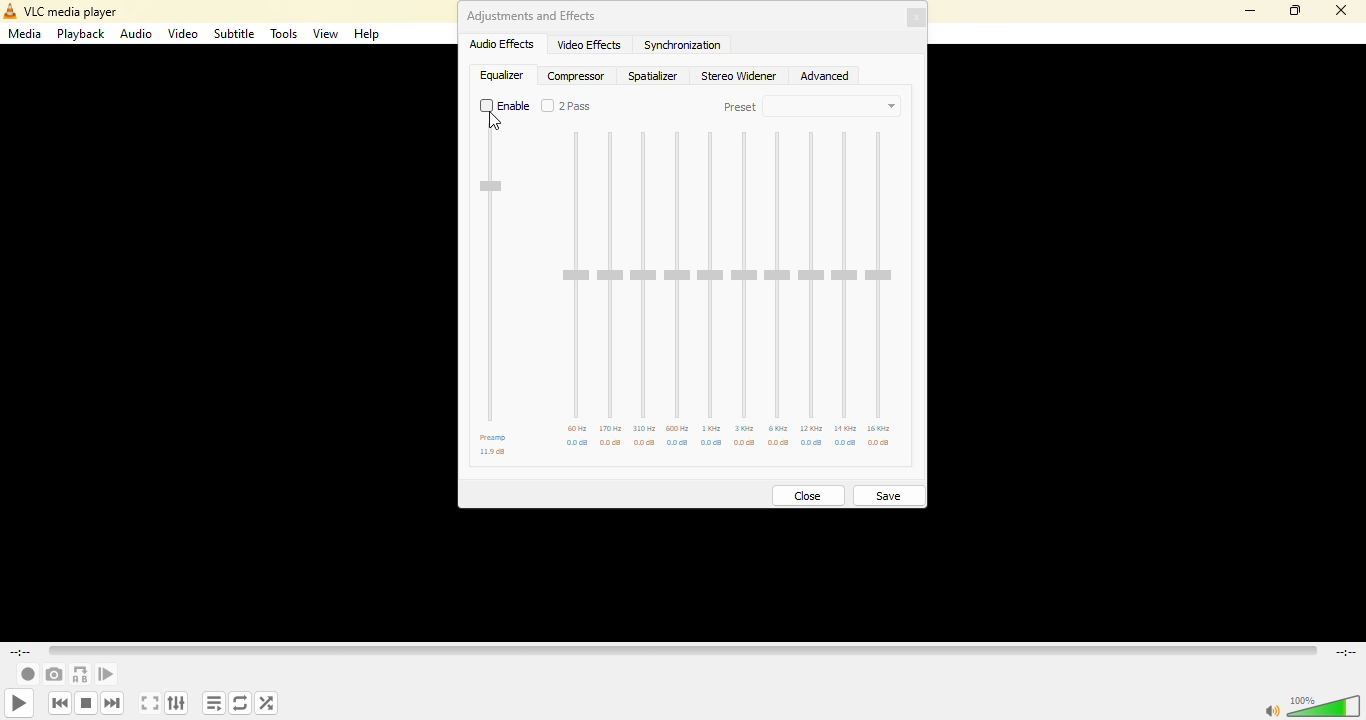 This screenshot has width=1366, height=720. Describe the element at coordinates (711, 275) in the screenshot. I see `adjustor` at that location.